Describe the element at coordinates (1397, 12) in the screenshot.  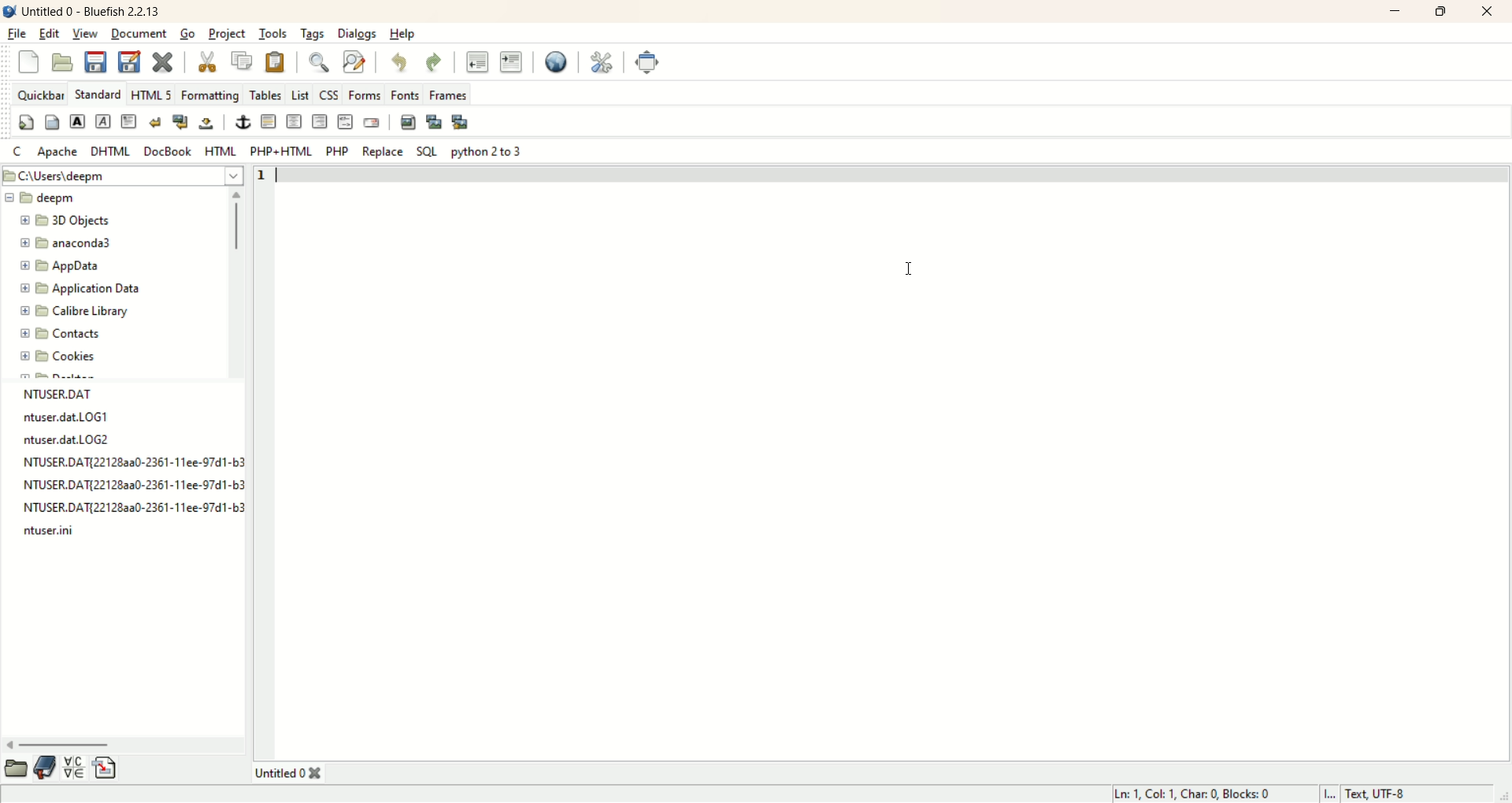
I see `minimize` at that location.